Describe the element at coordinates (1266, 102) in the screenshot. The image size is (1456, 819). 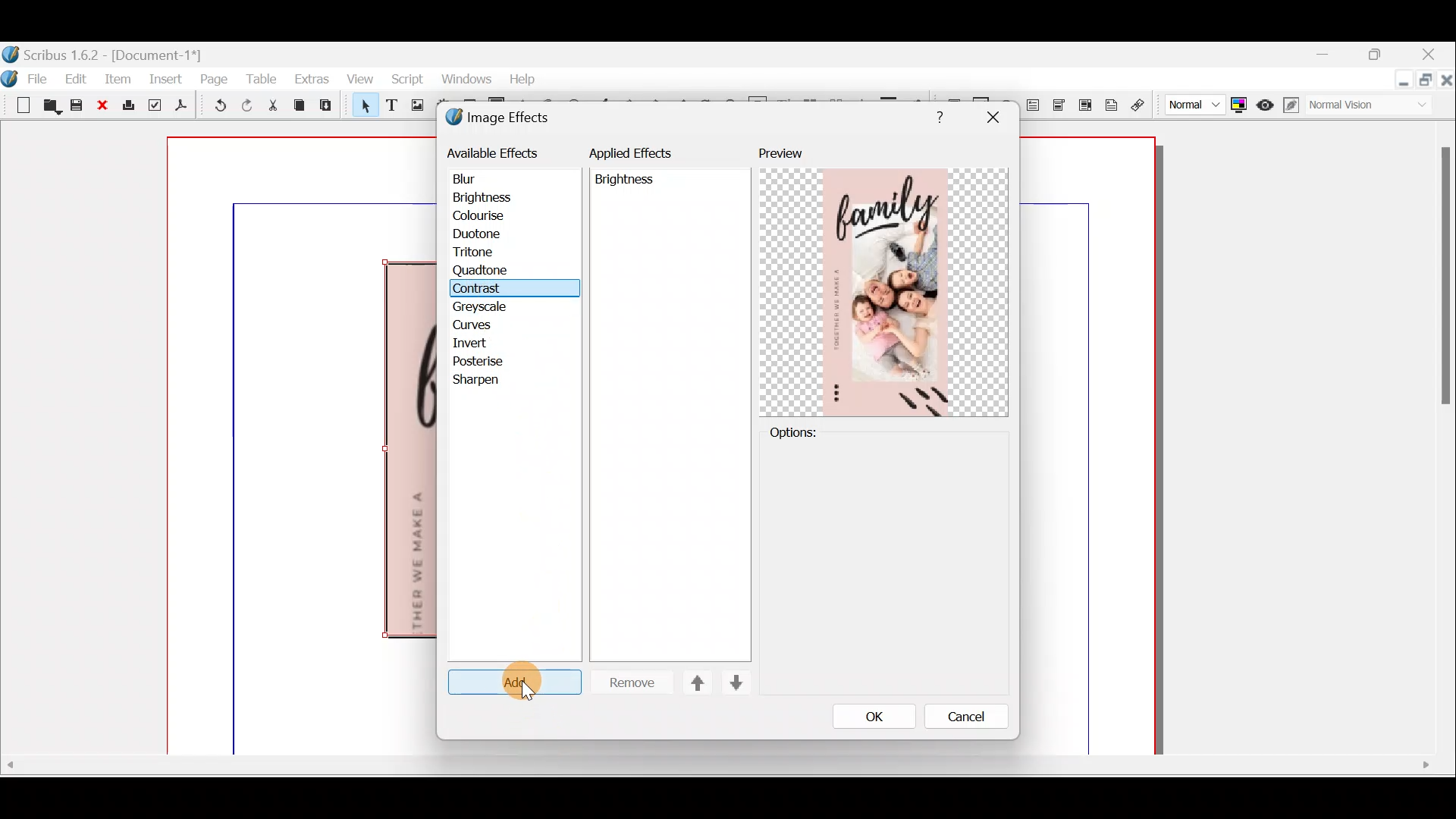
I see `Preview mode` at that location.